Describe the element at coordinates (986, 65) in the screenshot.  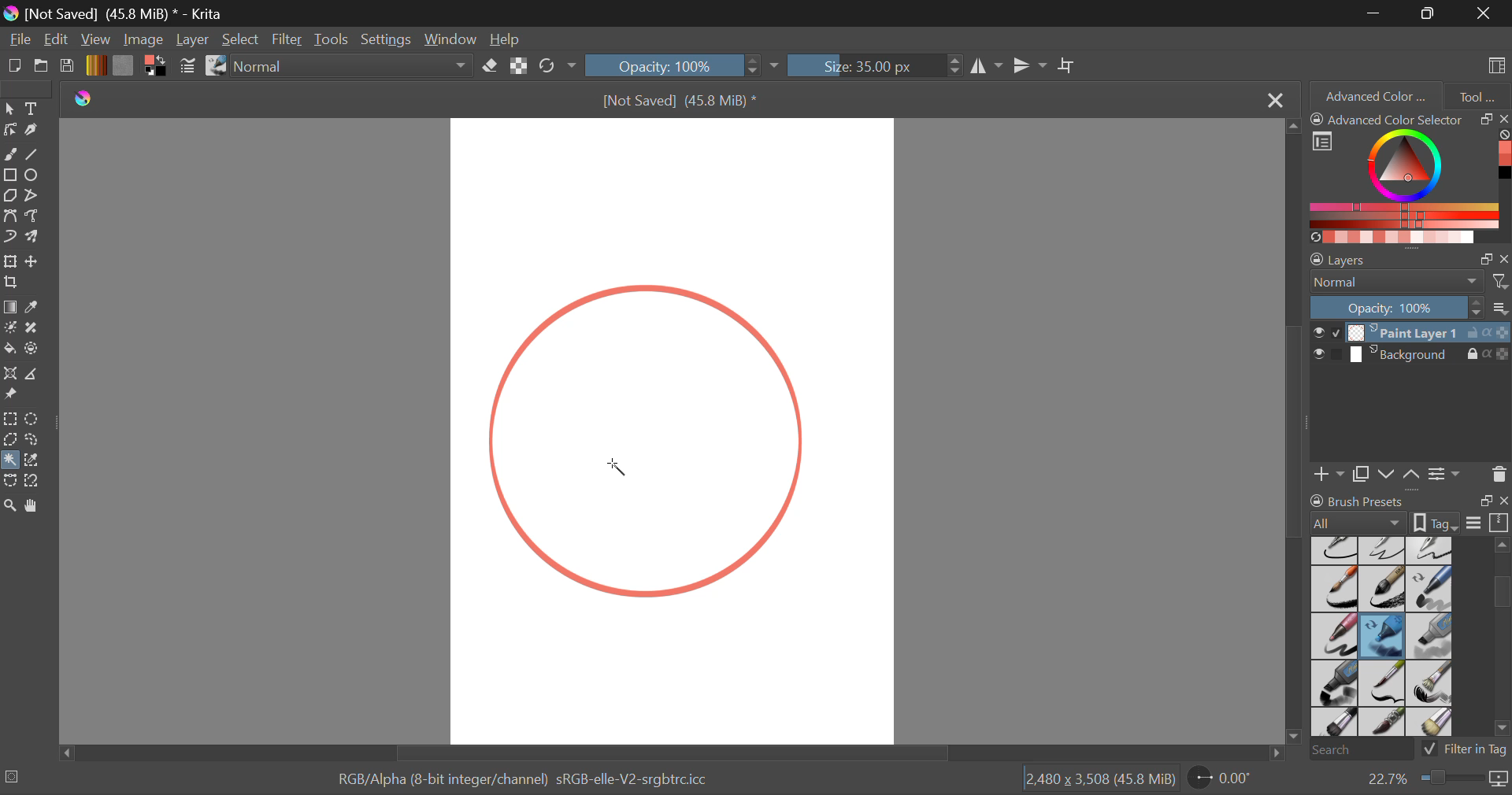
I see `Horizontal Mirror Tool` at that location.